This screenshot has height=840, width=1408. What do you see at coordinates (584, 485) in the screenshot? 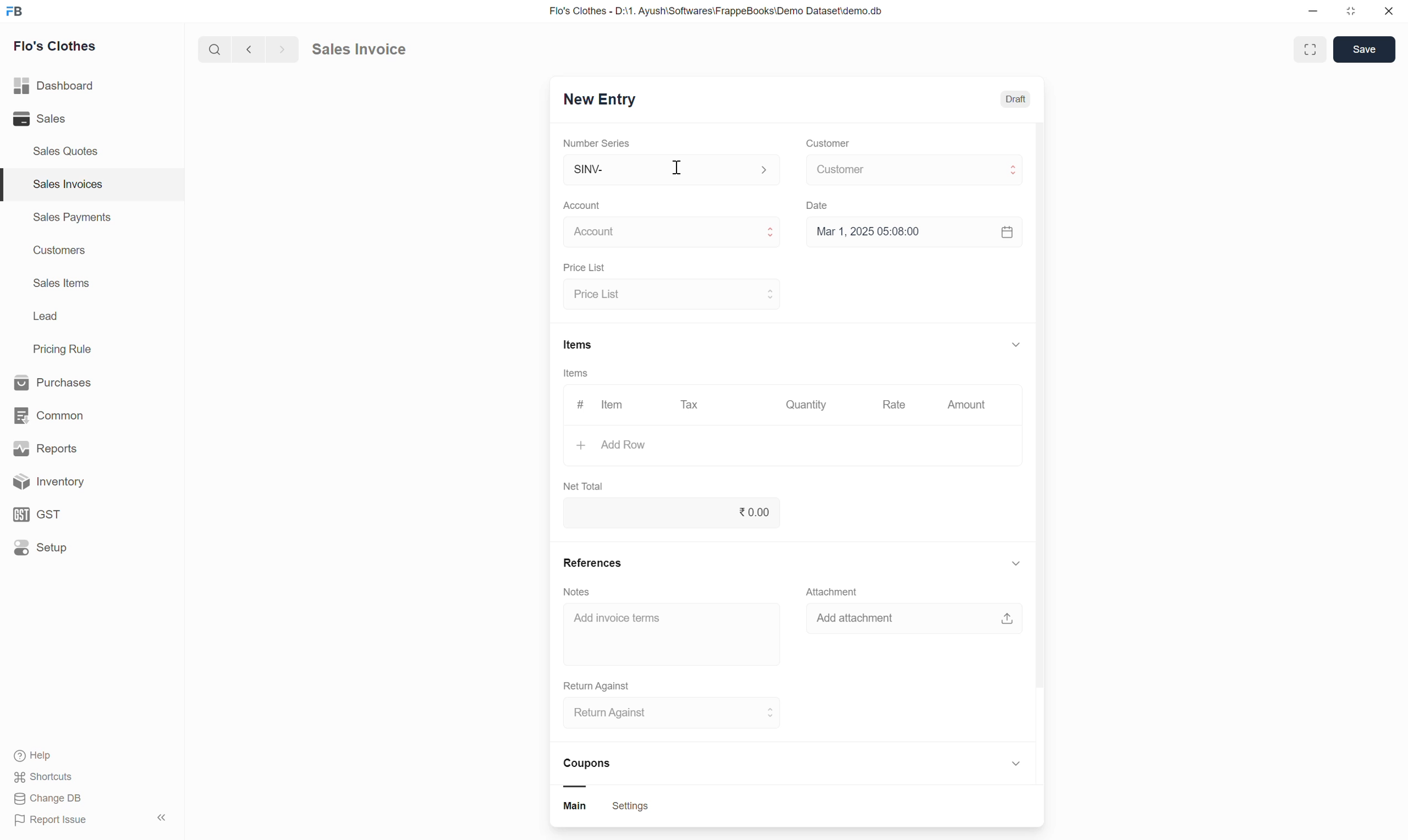
I see `Net Total` at bounding box center [584, 485].